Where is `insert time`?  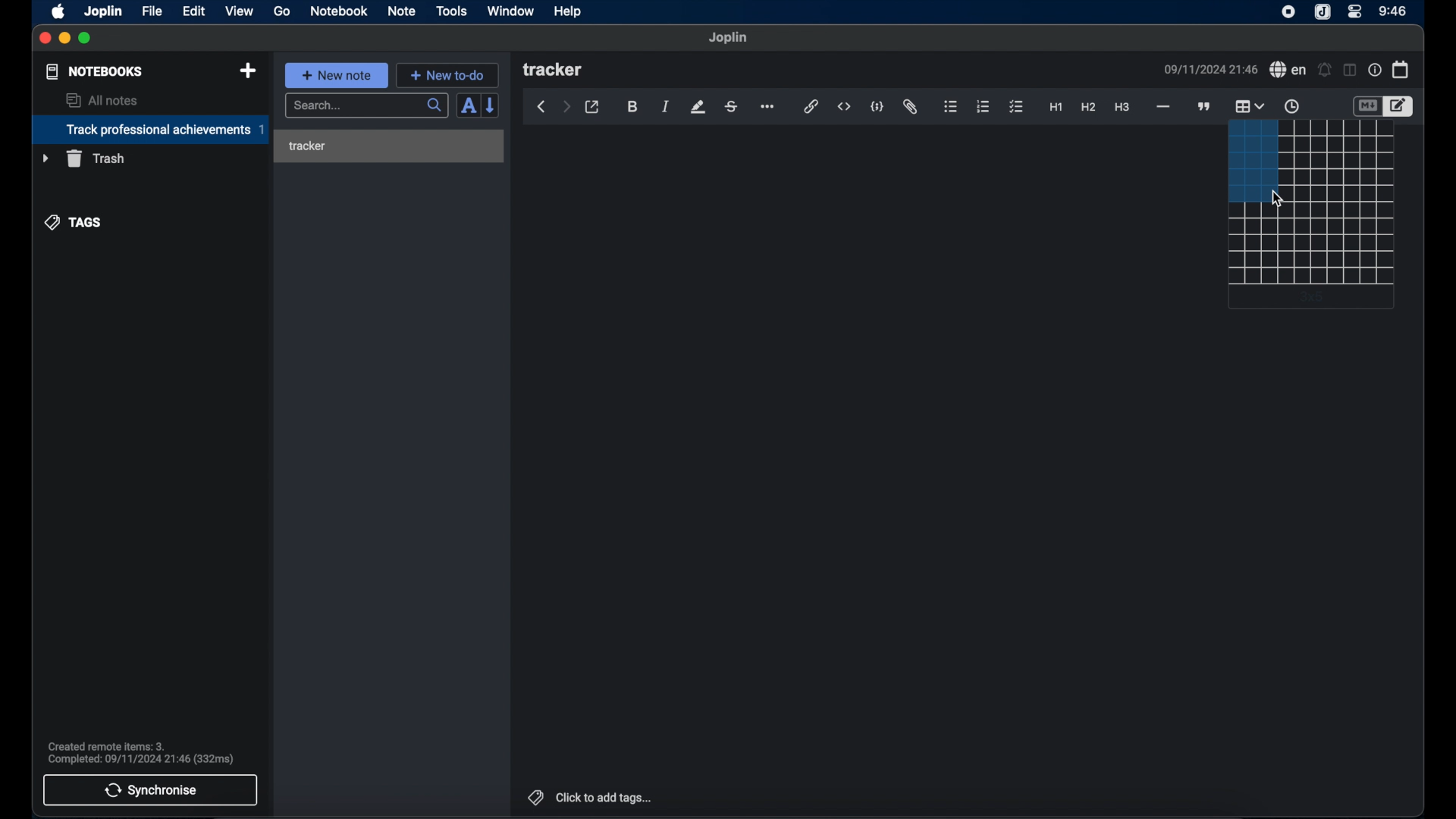
insert time is located at coordinates (1291, 107).